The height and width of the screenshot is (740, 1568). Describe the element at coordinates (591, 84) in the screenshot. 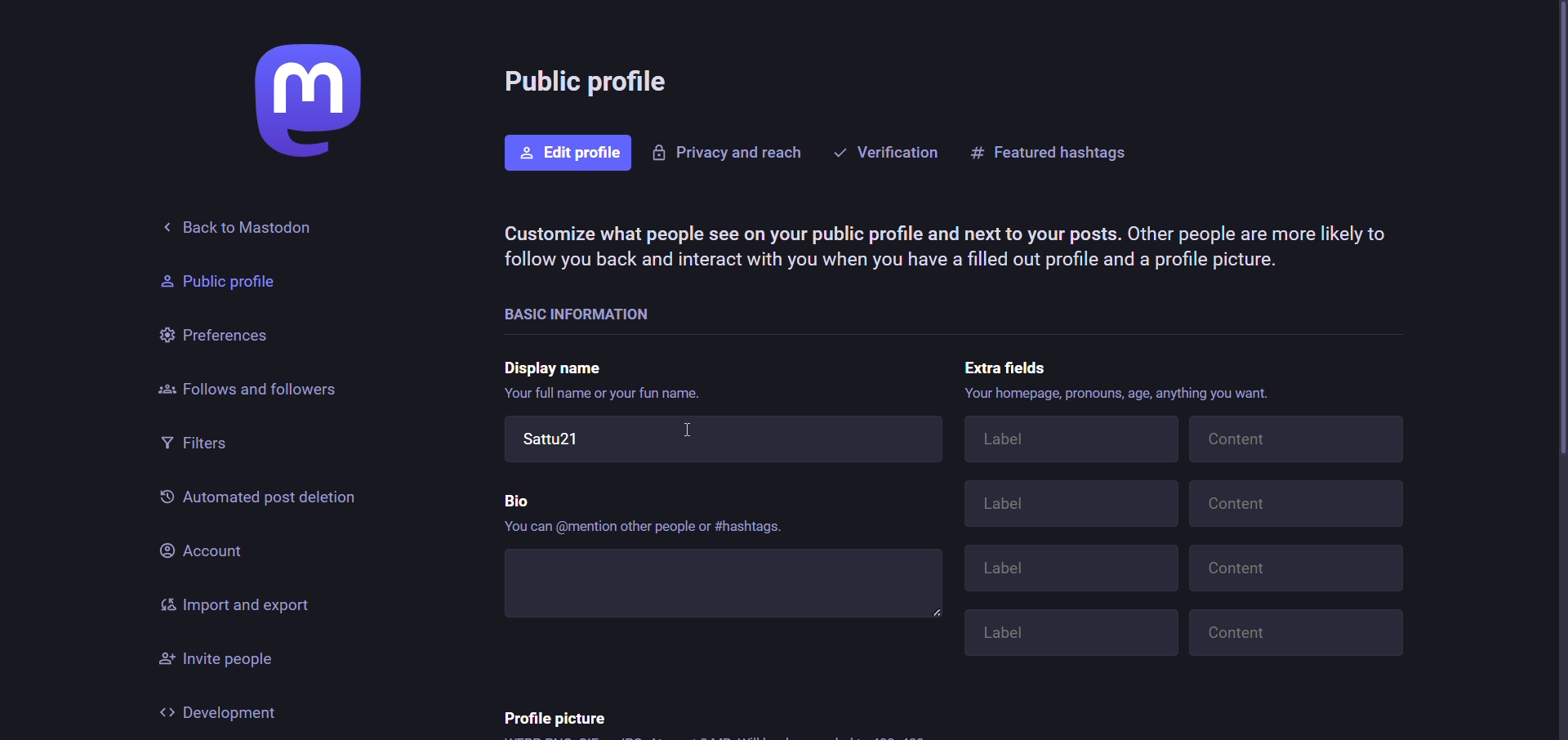

I see `public profile` at that location.